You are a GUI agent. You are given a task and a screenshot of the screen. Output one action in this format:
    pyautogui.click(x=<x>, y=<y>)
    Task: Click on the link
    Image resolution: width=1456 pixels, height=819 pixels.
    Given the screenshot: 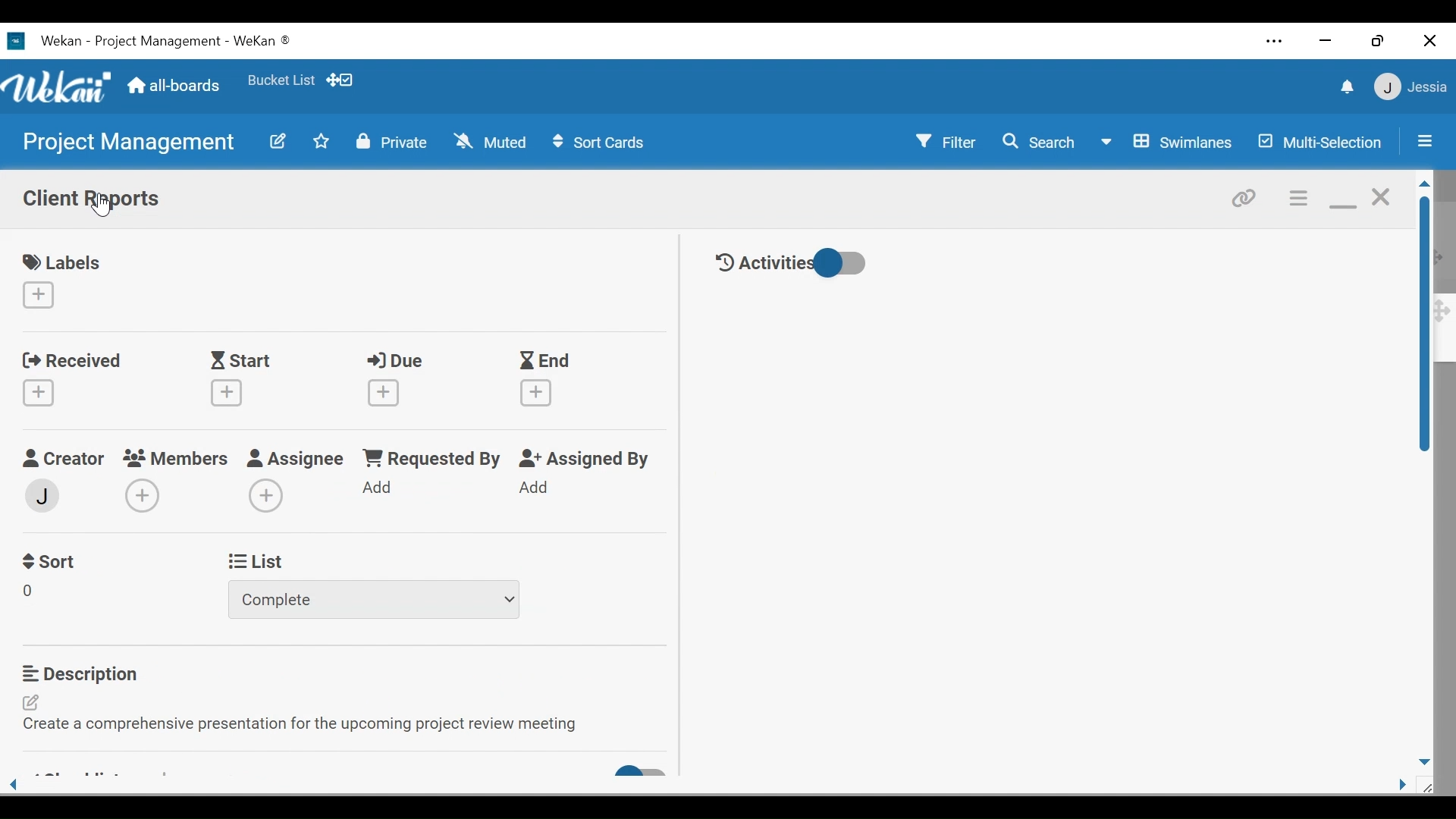 What is the action you would take?
    pyautogui.click(x=1245, y=198)
    